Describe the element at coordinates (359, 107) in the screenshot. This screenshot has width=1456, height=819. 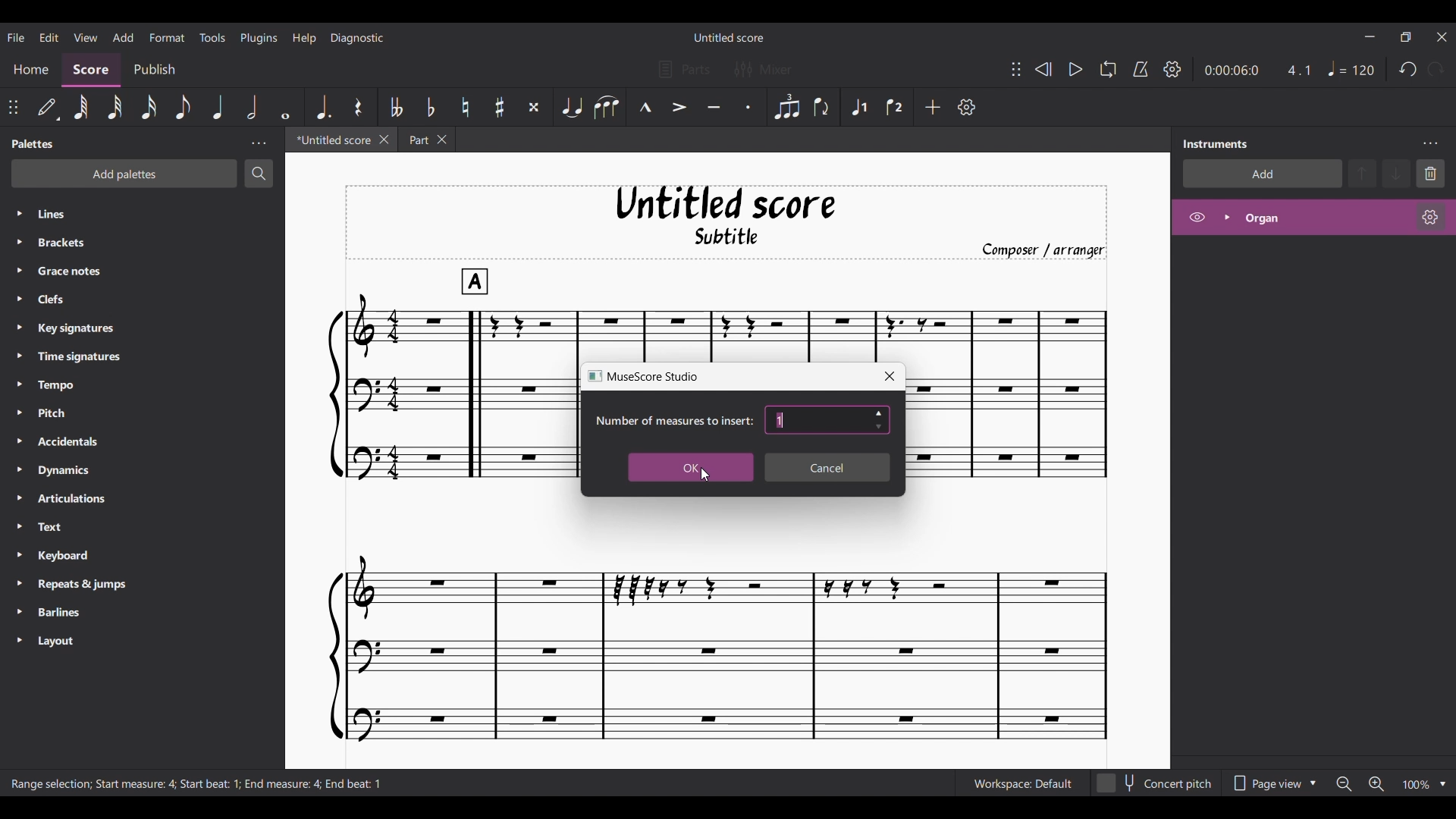
I see `Rest` at that location.